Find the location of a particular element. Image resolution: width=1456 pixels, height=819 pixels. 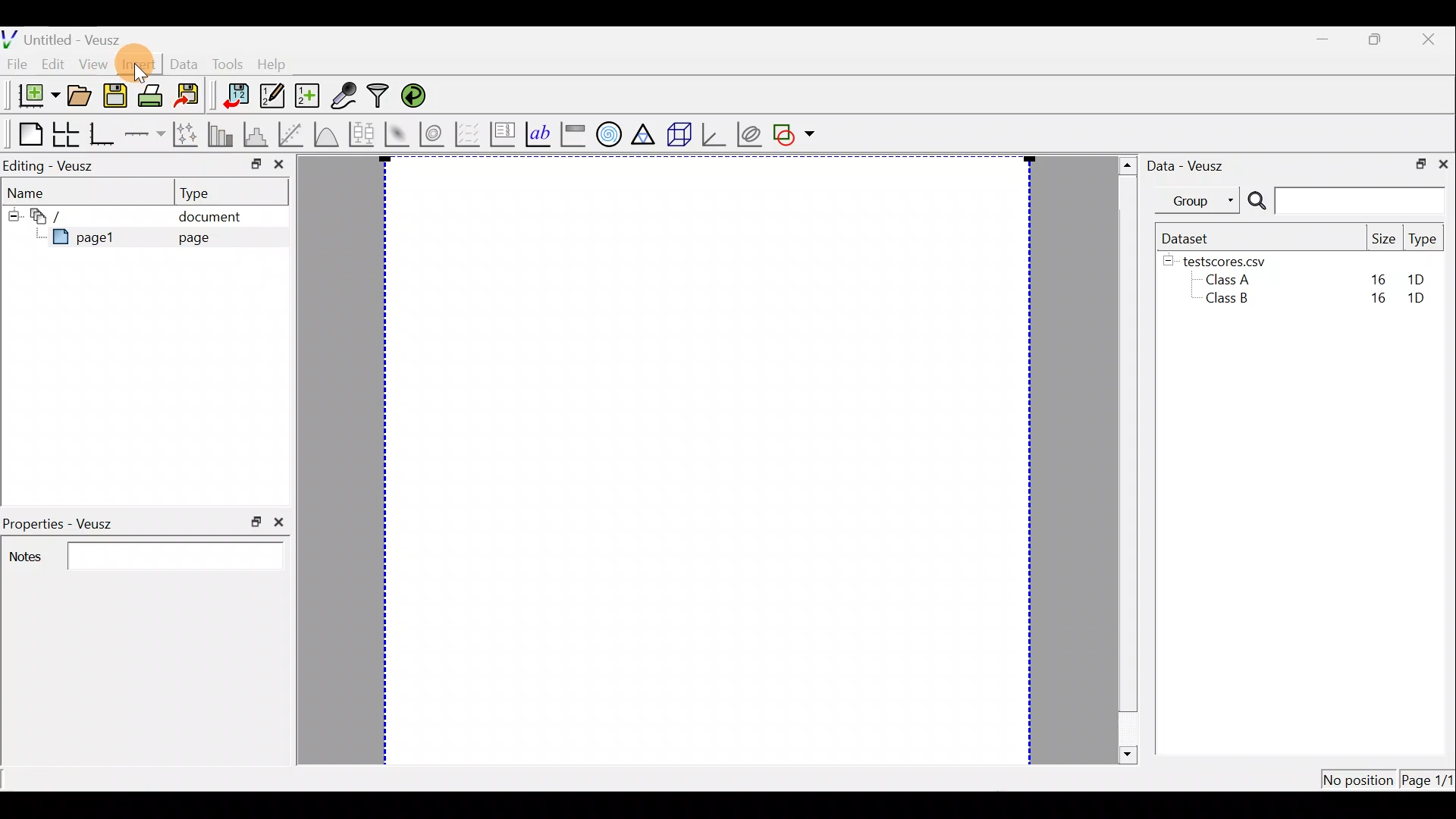

Class B is located at coordinates (1225, 301).